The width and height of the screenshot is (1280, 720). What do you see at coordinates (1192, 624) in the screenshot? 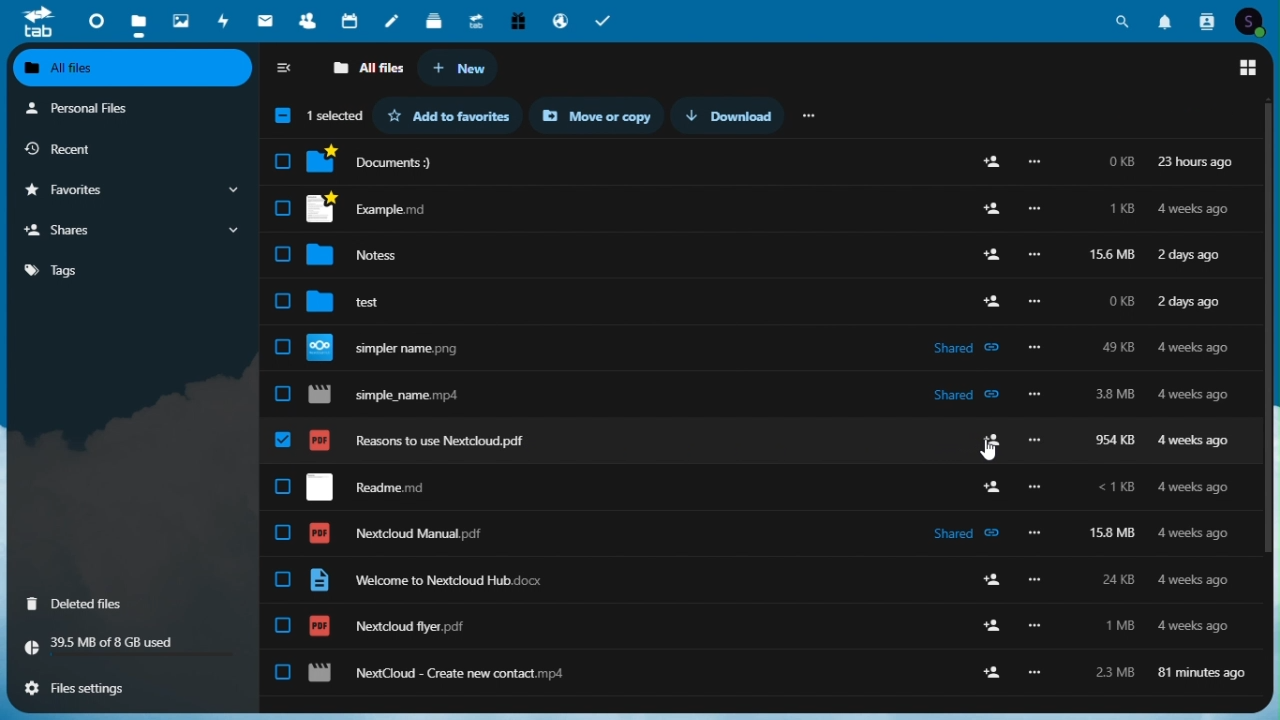
I see `4 weeks ago` at bounding box center [1192, 624].